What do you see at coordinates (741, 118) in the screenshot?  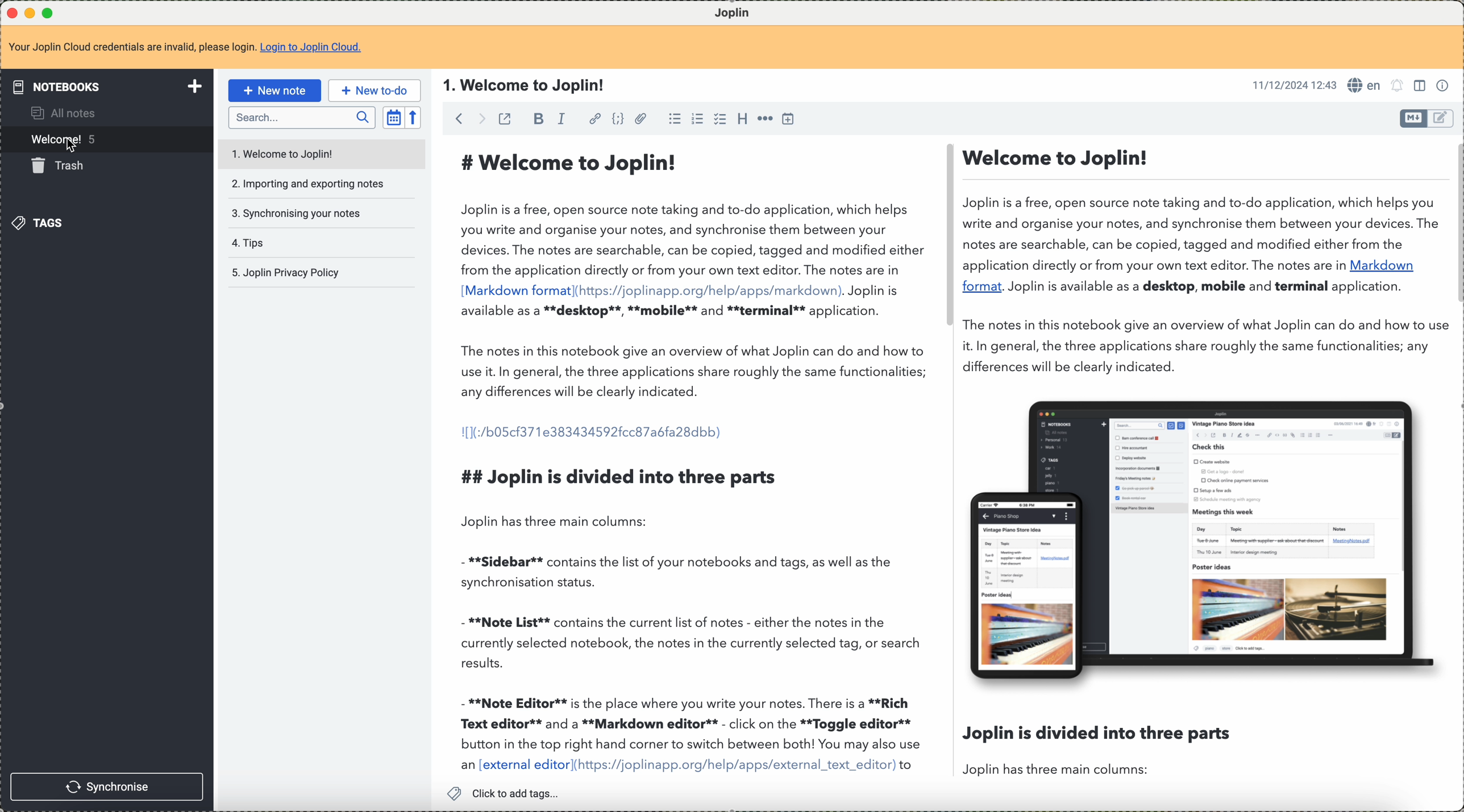 I see `headings` at bounding box center [741, 118].